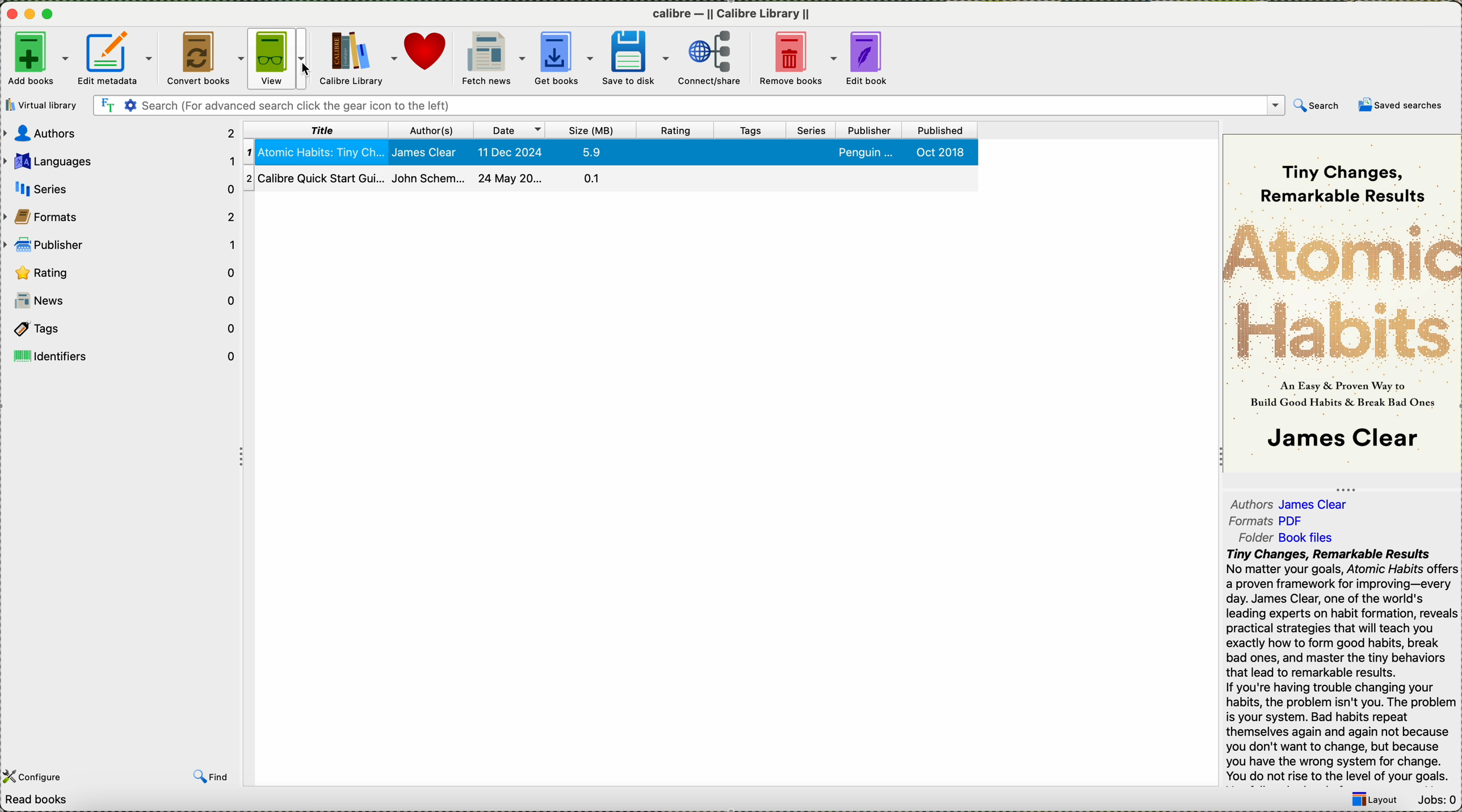 This screenshot has width=1462, height=812. Describe the element at coordinates (491, 58) in the screenshot. I see `fetch news` at that location.